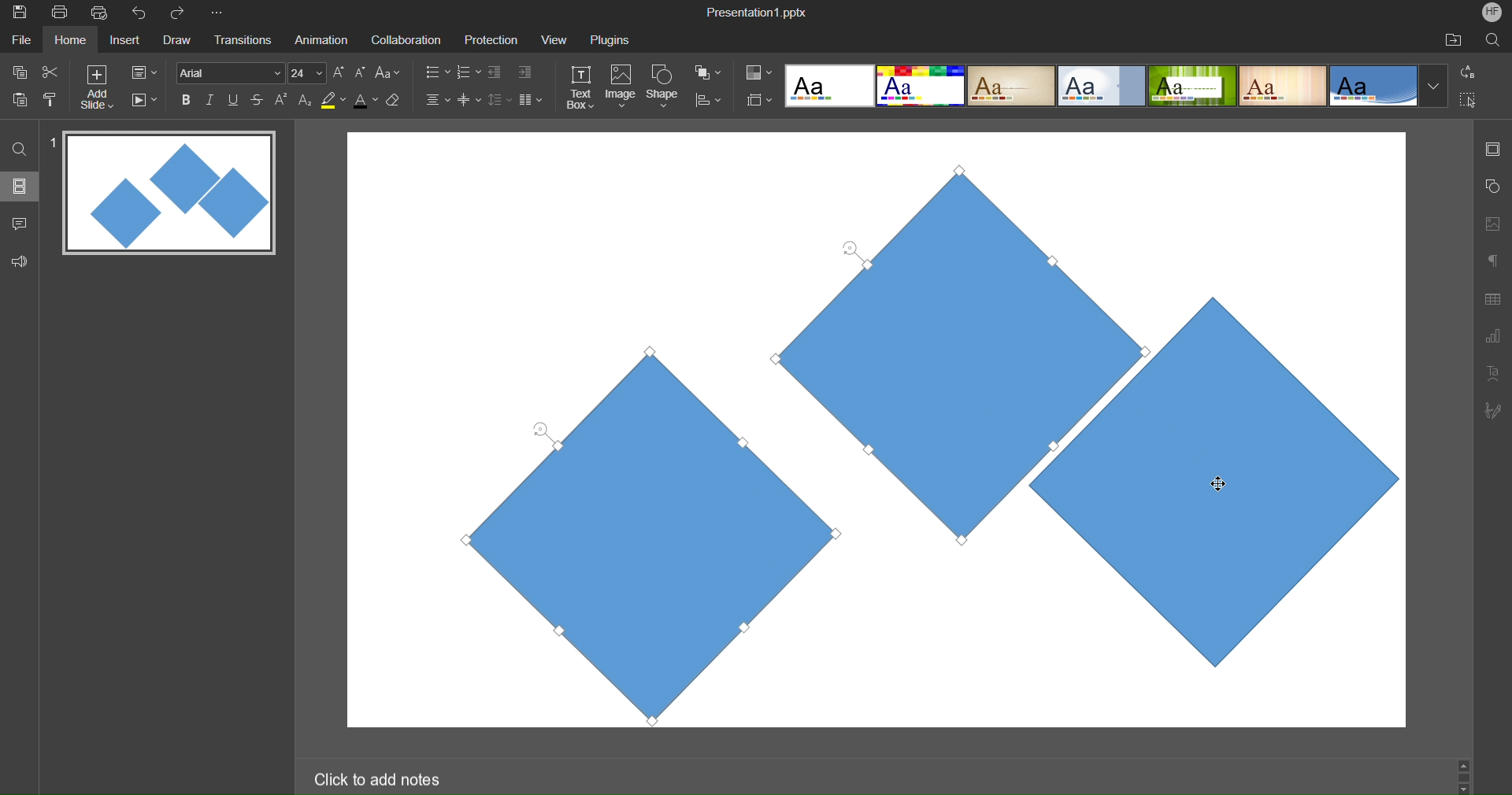 The height and width of the screenshot is (795, 1512). I want to click on select, so click(1474, 102).